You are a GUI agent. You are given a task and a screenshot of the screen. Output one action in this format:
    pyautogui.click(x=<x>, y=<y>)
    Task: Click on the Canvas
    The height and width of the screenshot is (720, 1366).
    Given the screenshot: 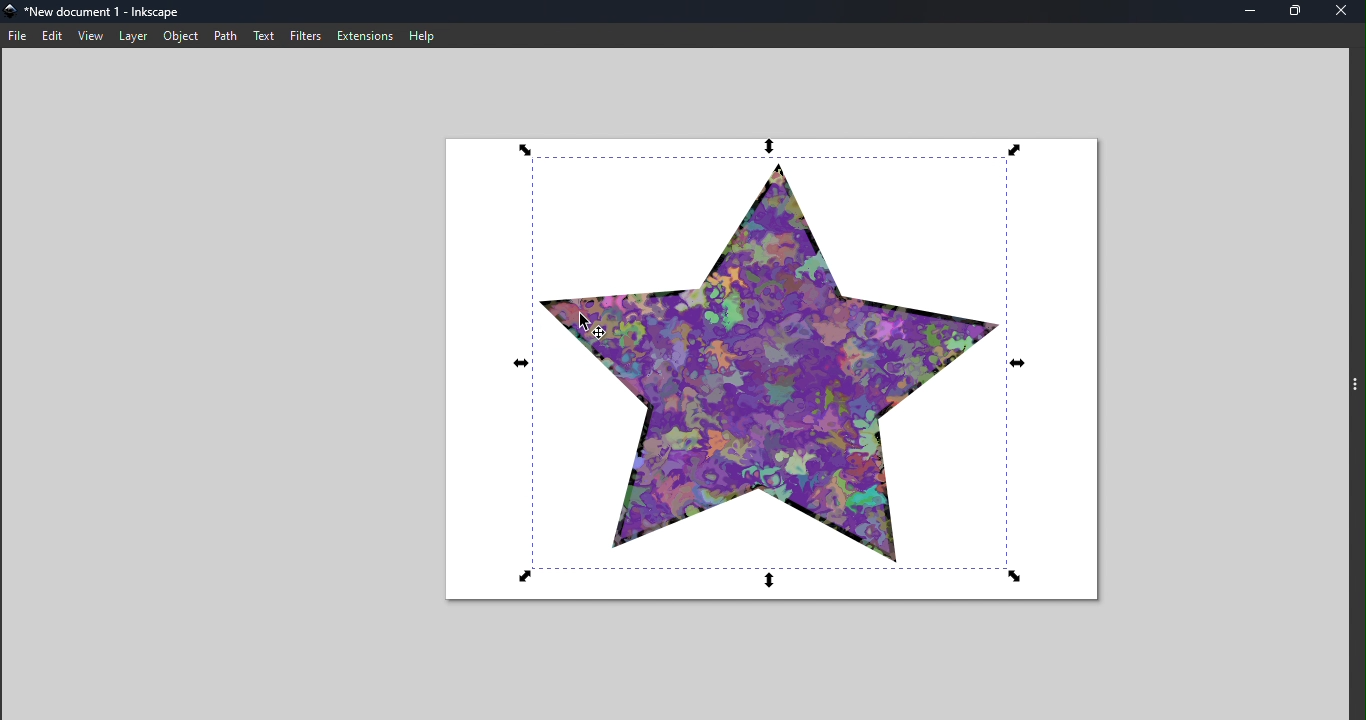 What is the action you would take?
    pyautogui.click(x=787, y=372)
    